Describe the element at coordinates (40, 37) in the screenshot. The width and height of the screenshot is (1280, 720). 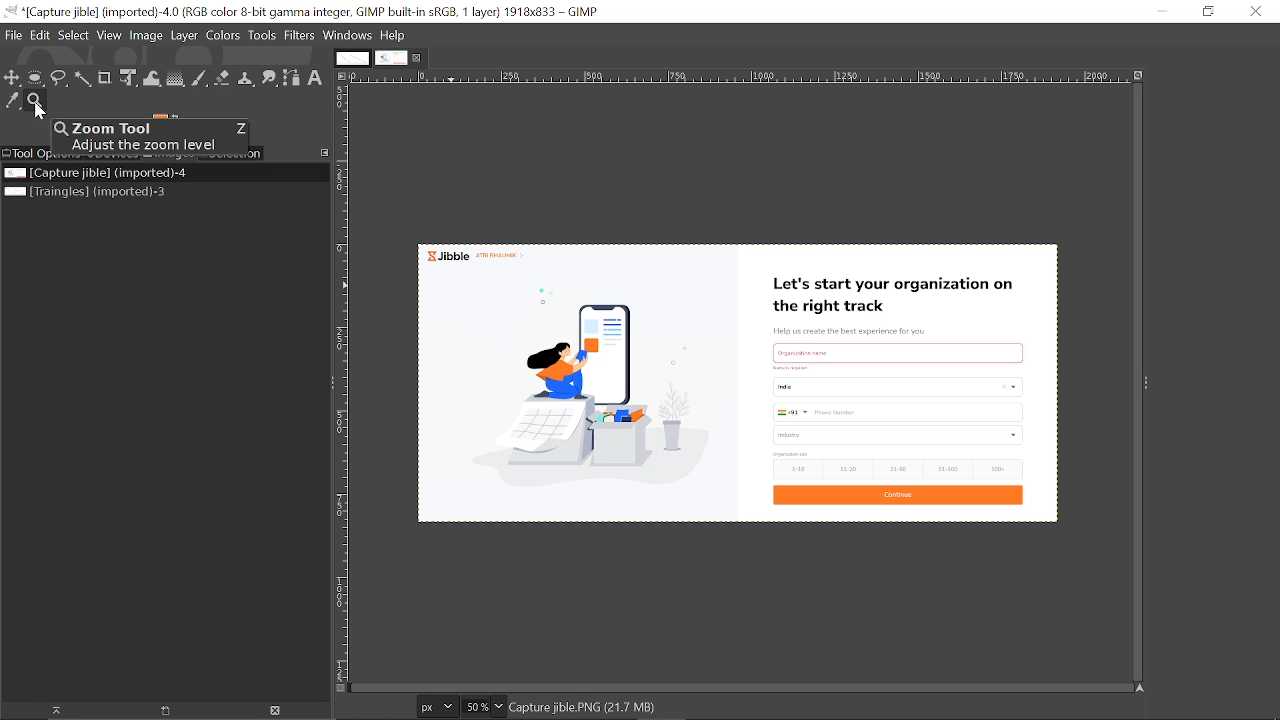
I see `Edit` at that location.